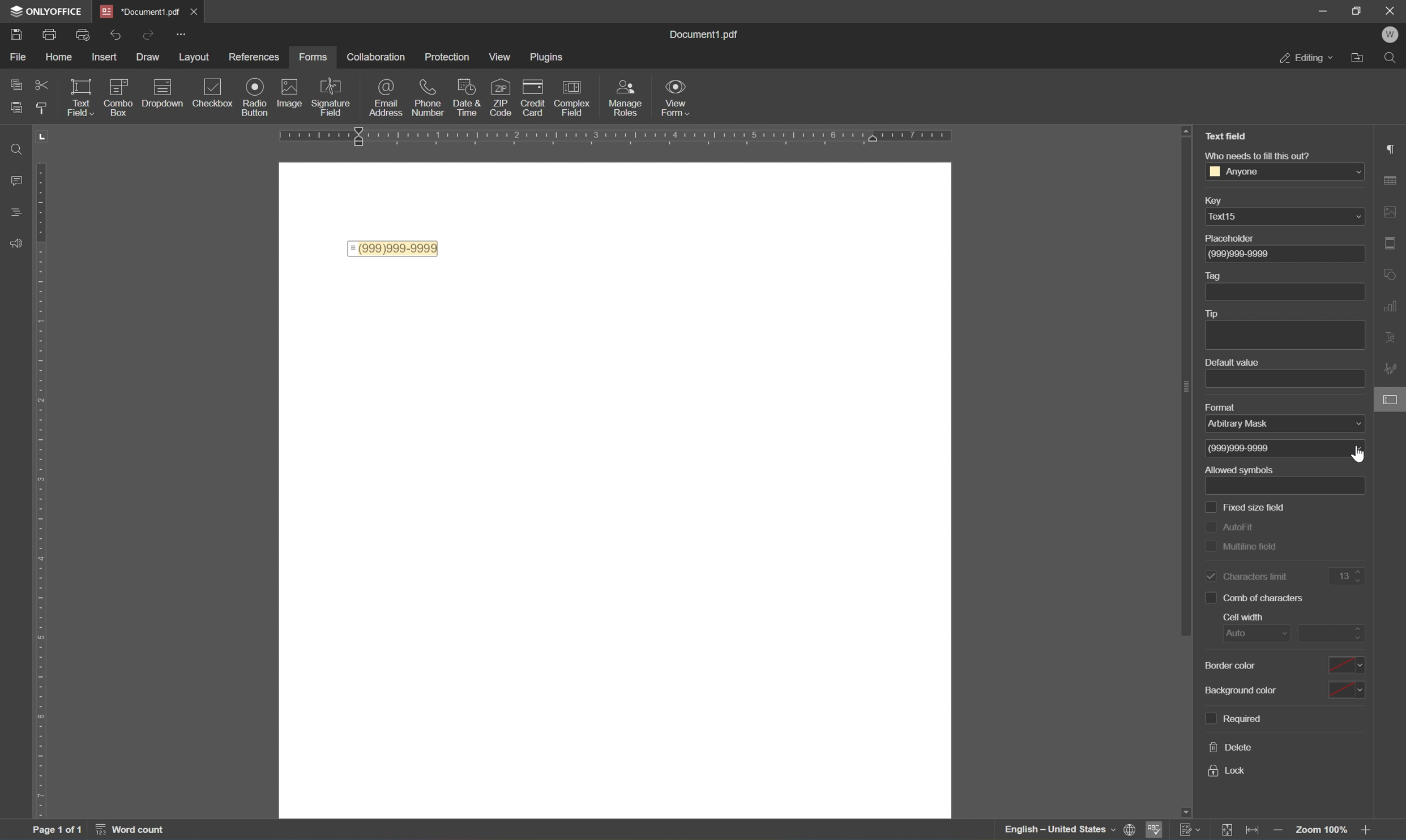 The image size is (1406, 840). Describe the element at coordinates (625, 136) in the screenshot. I see `ruler` at that location.